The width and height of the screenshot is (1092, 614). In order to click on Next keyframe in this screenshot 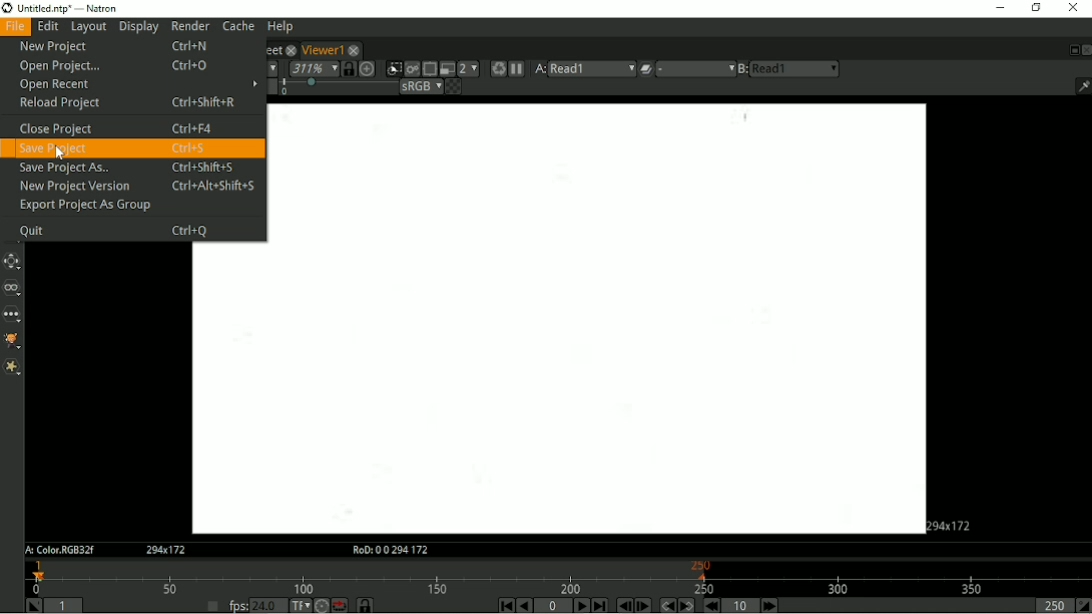, I will do `click(687, 605)`.